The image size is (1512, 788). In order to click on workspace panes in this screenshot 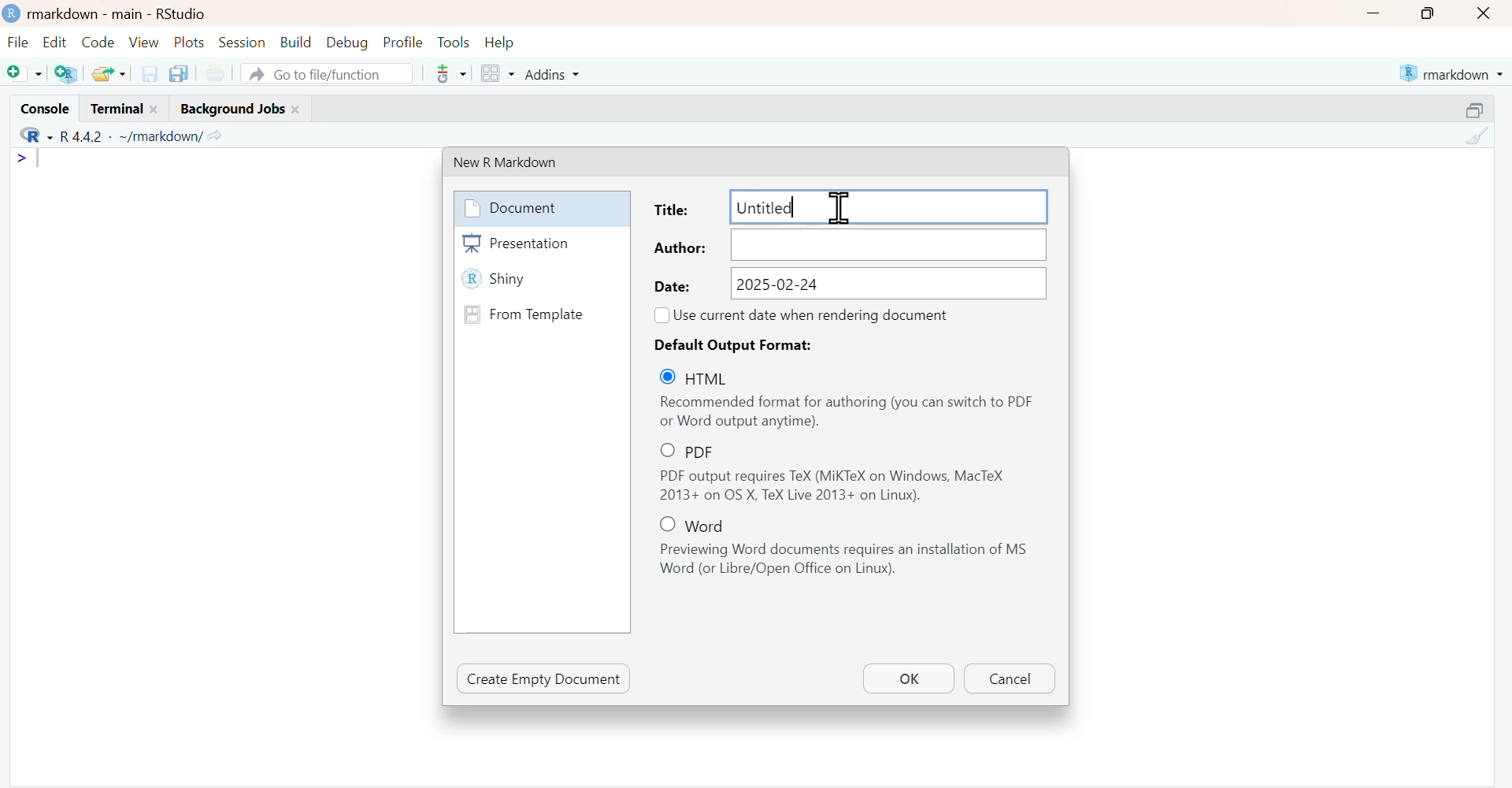, I will do `click(496, 73)`.